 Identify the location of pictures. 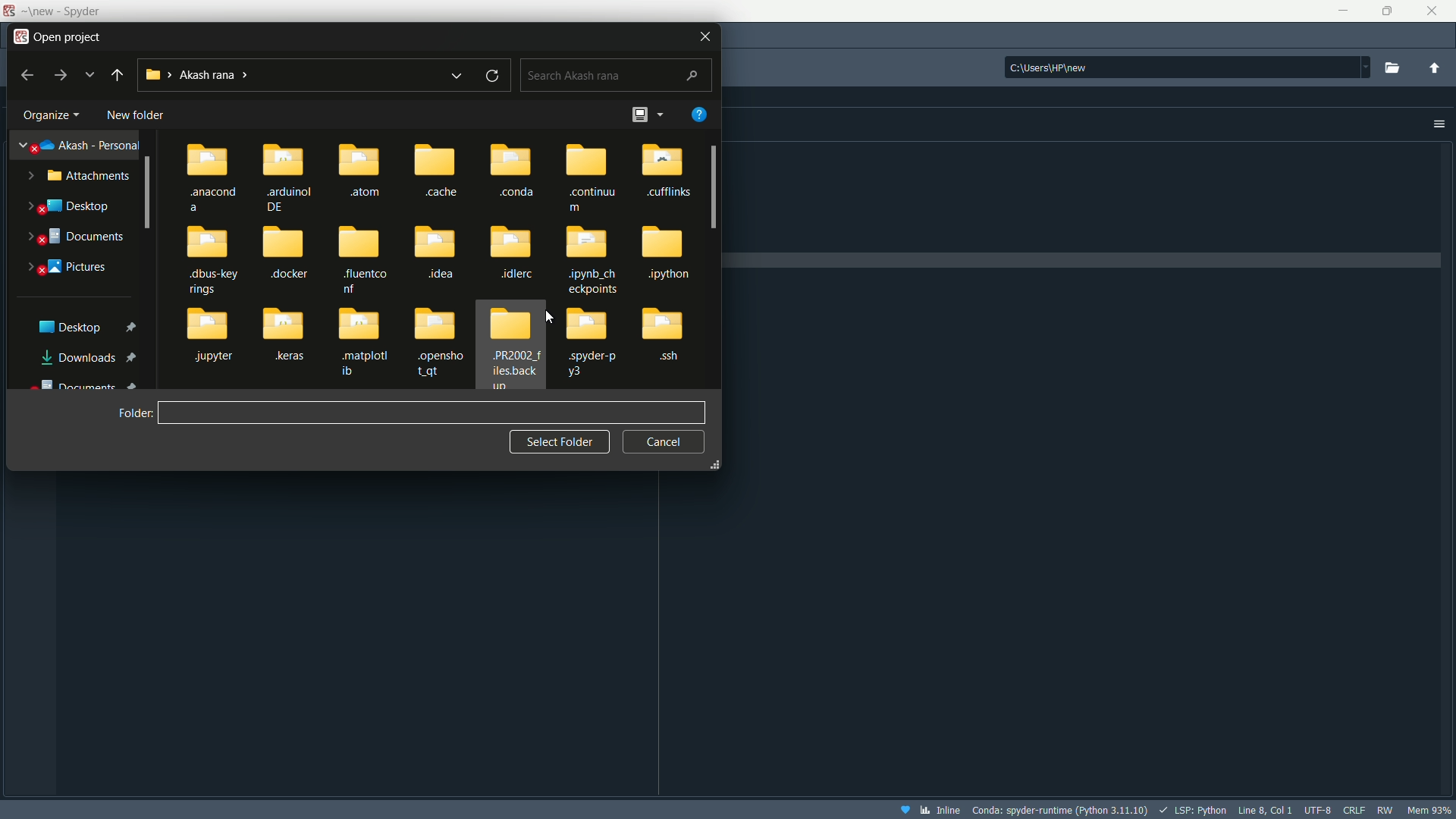
(72, 267).